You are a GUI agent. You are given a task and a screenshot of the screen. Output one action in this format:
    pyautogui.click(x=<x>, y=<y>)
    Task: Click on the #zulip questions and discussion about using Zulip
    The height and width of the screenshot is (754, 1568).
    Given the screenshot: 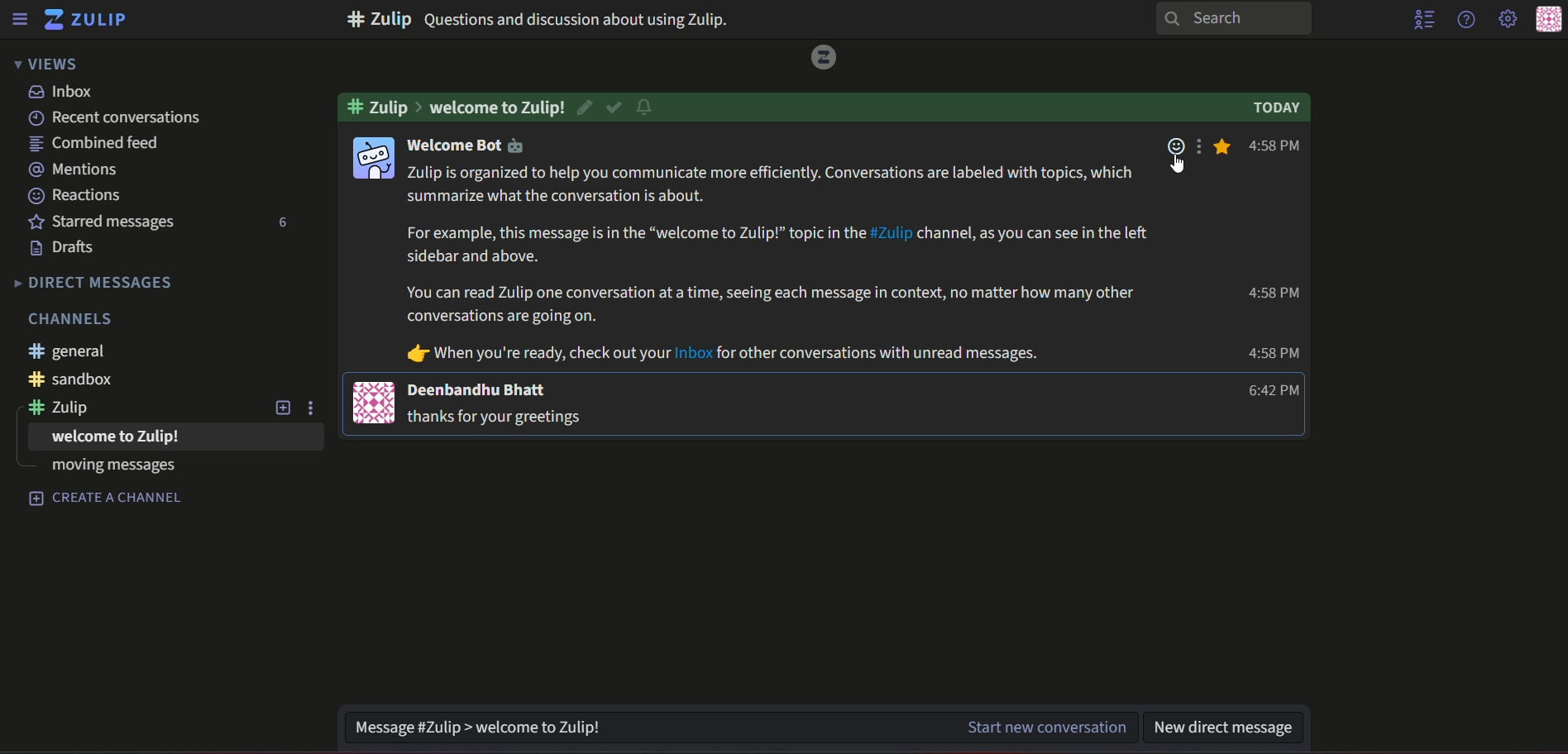 What is the action you would take?
    pyautogui.click(x=591, y=19)
    